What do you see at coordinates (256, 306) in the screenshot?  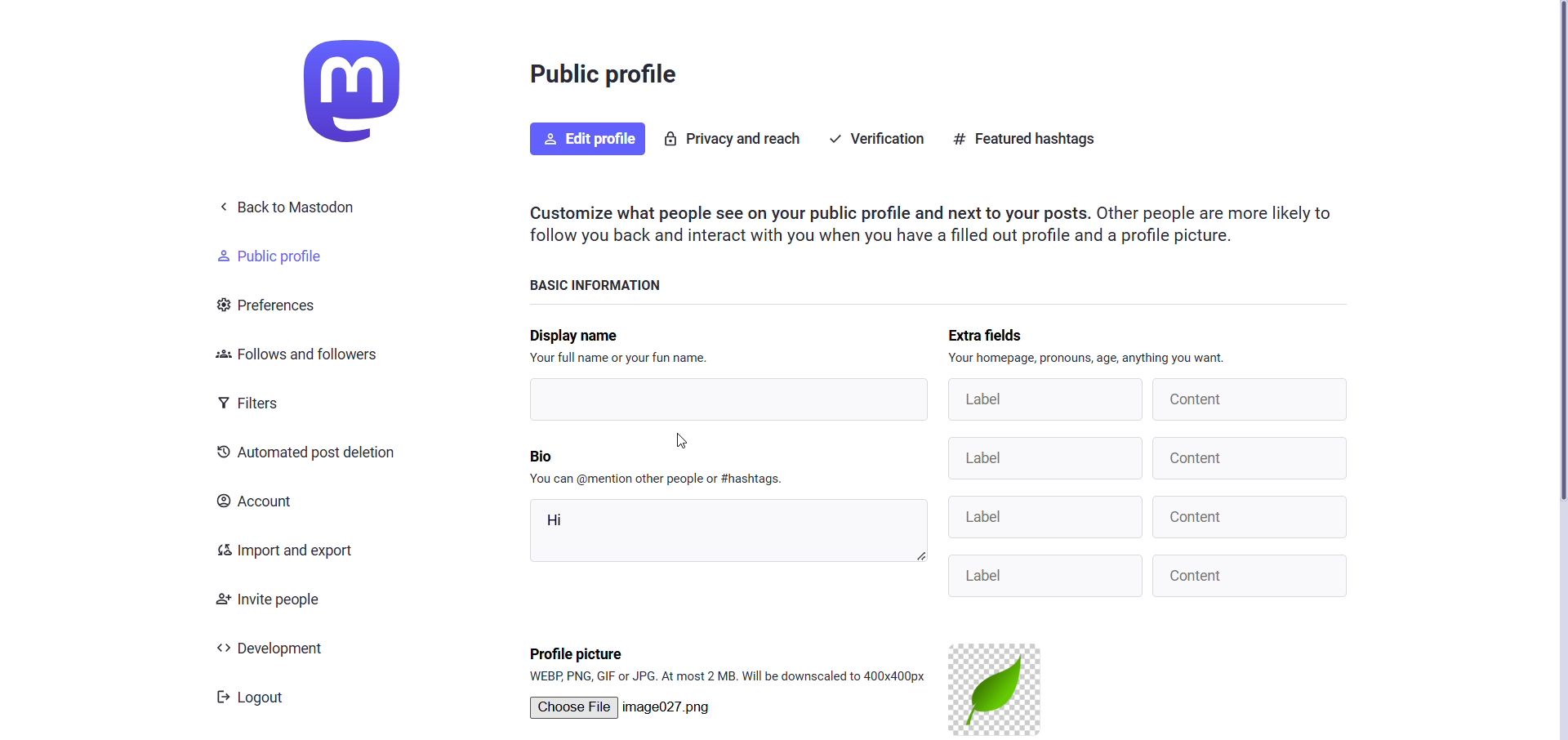 I see `preferences` at bounding box center [256, 306].